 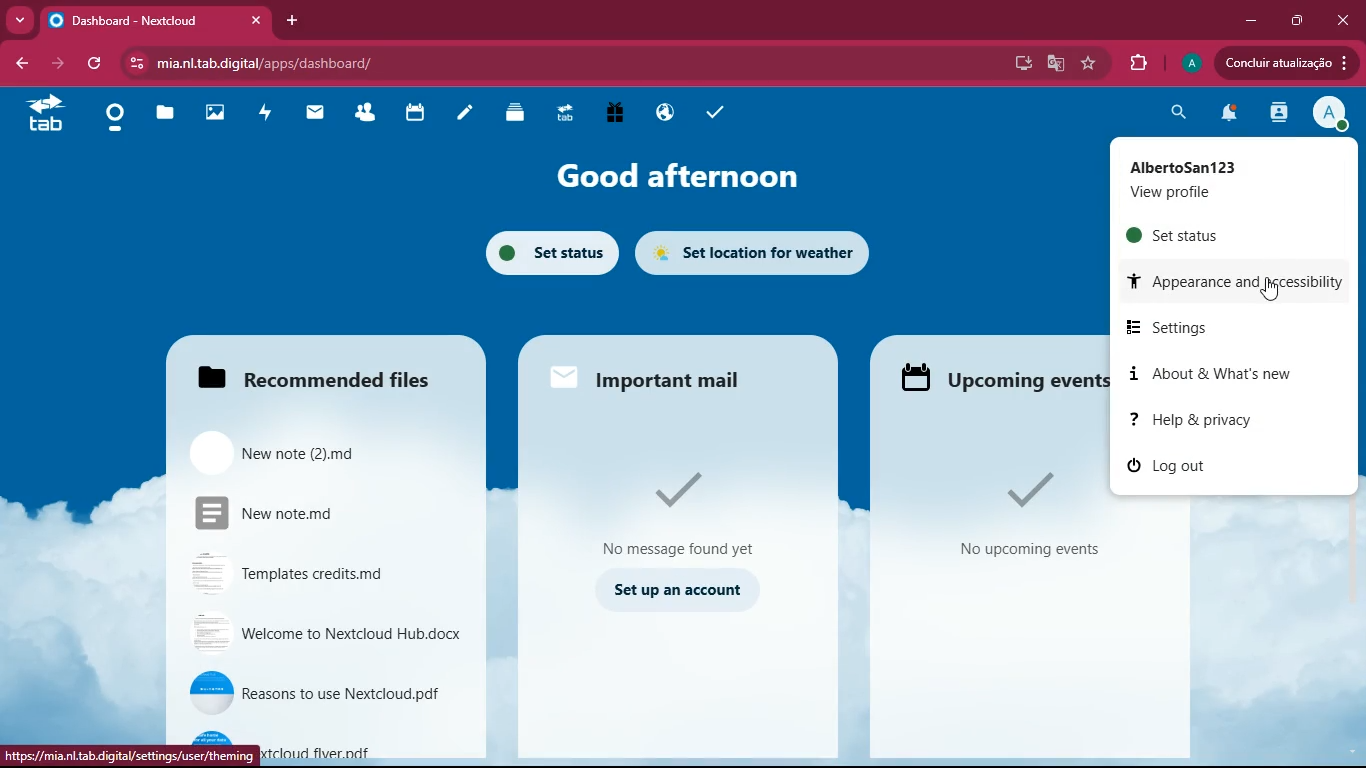 What do you see at coordinates (129, 757) in the screenshot?
I see `https://mia.nl.tab.digital/settings/user/theming` at bounding box center [129, 757].